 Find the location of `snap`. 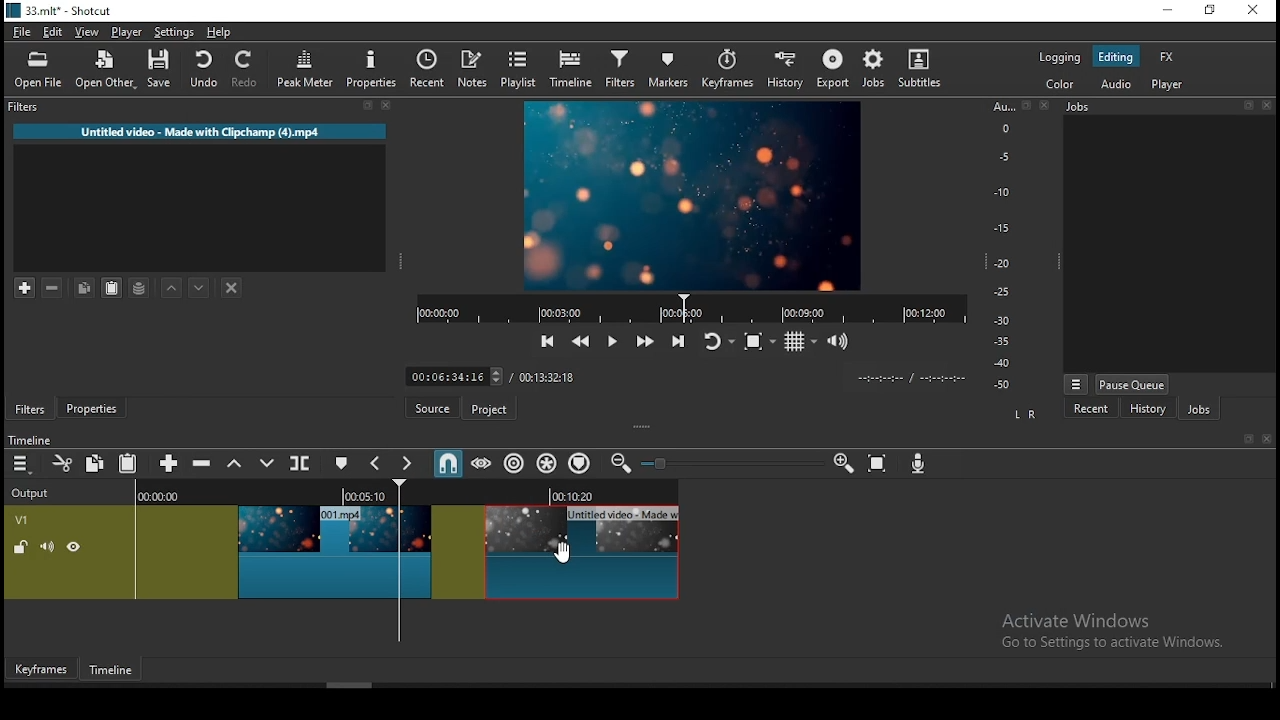

snap is located at coordinates (447, 463).